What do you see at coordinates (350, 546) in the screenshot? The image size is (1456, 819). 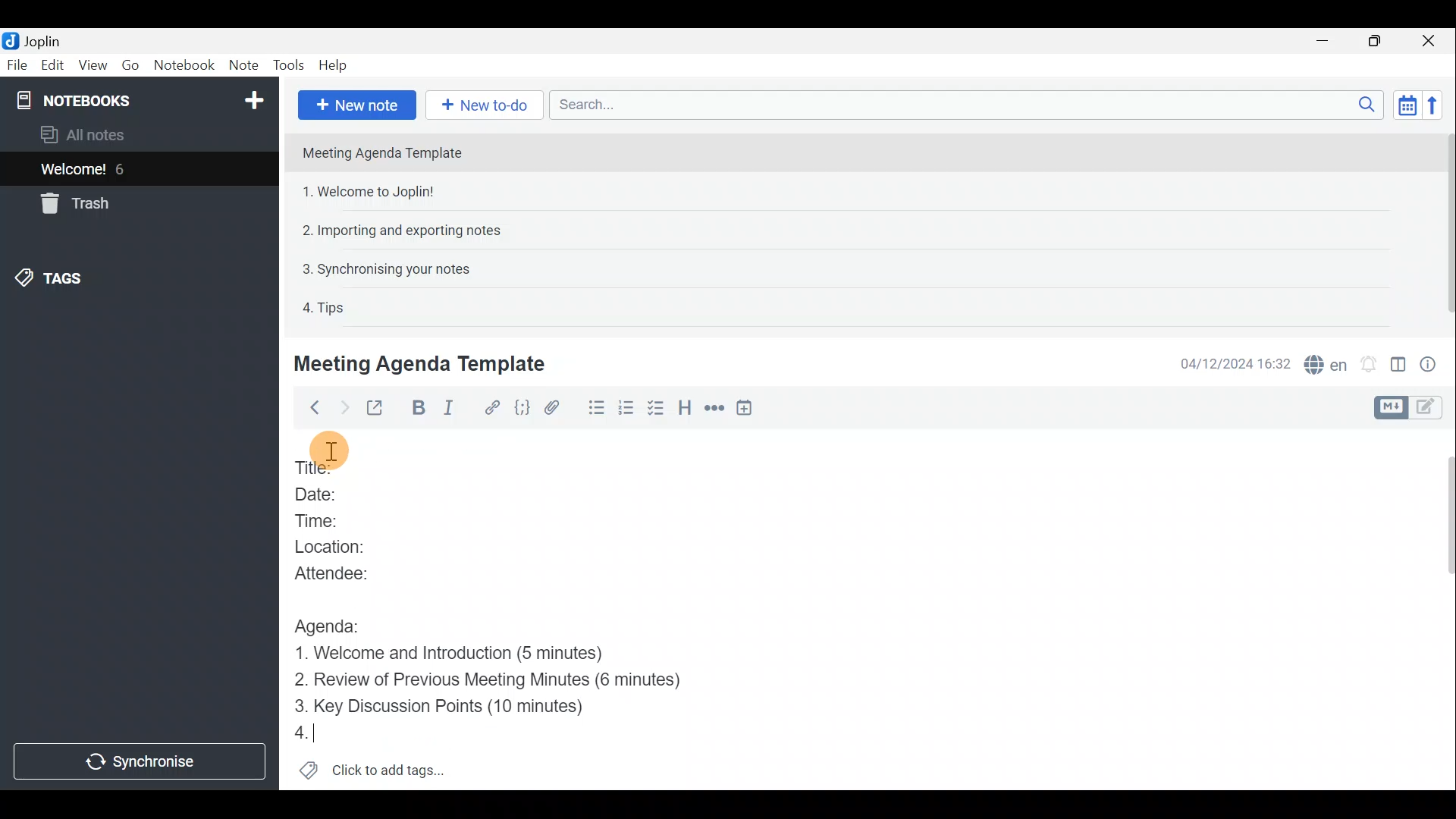 I see `Location:` at bounding box center [350, 546].